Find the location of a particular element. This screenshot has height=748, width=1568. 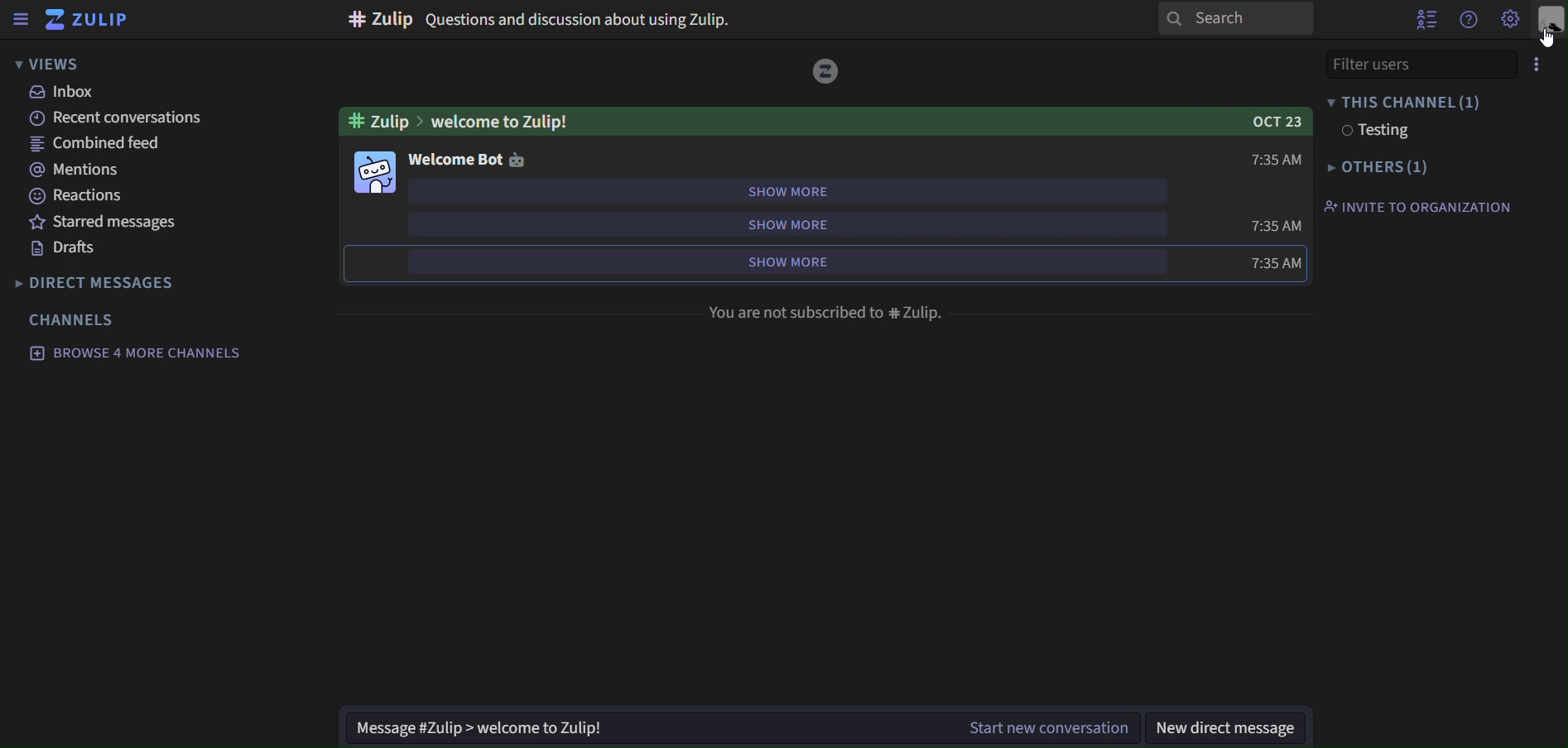

inbox is located at coordinates (65, 91).